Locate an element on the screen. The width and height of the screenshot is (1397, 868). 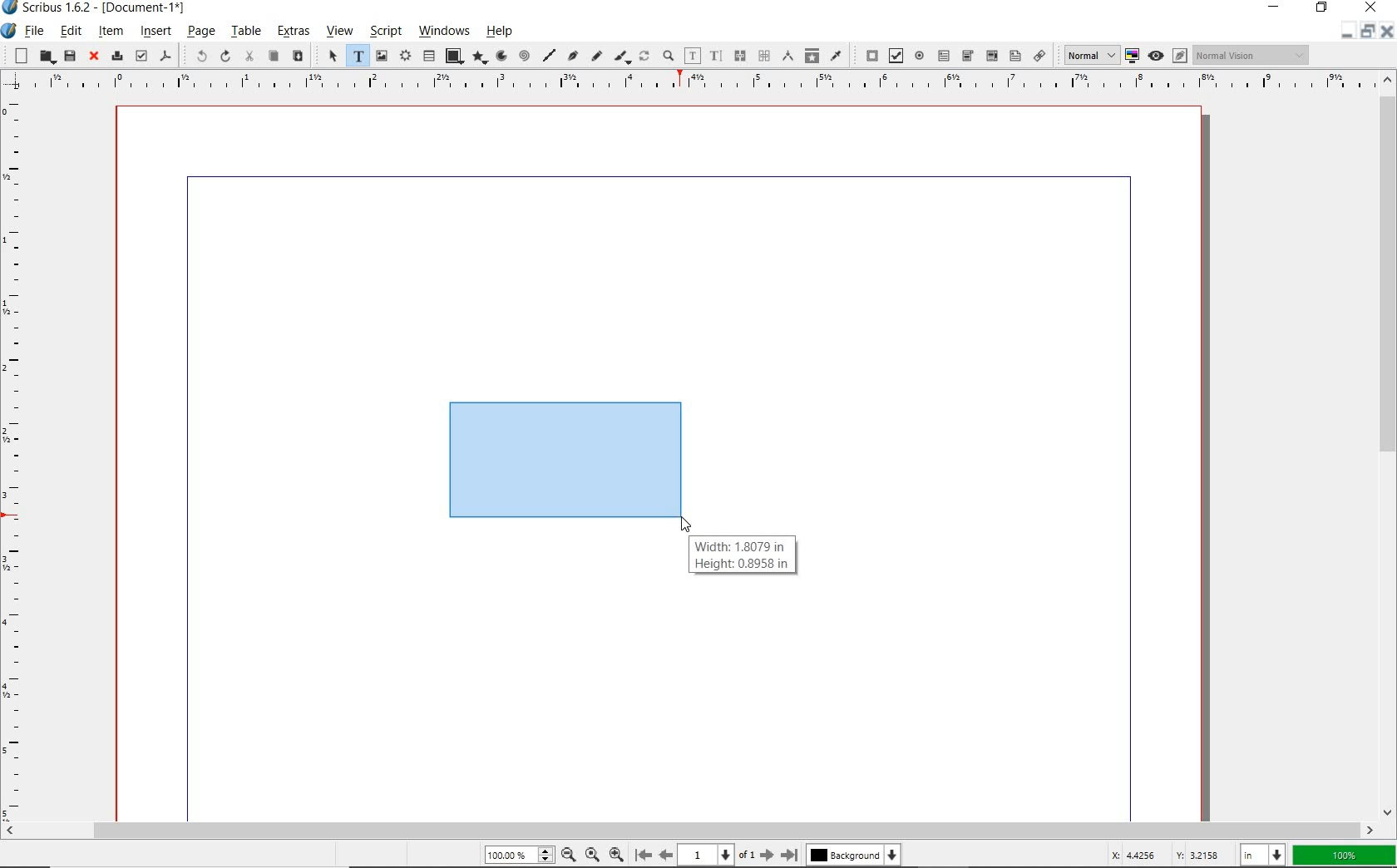
Vertical Margin is located at coordinates (19, 457).